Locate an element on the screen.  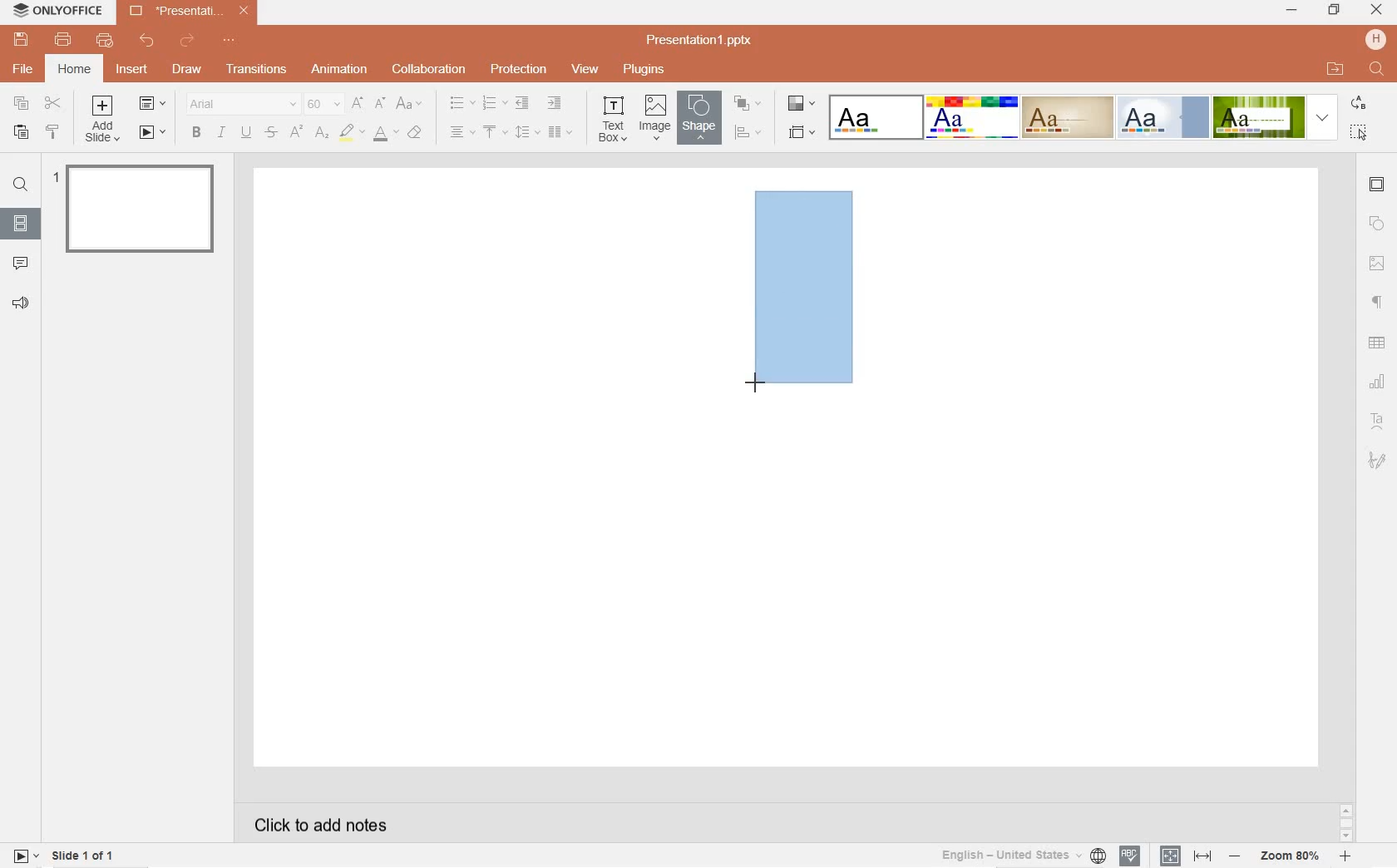
ONLYOFFICE is located at coordinates (59, 13).